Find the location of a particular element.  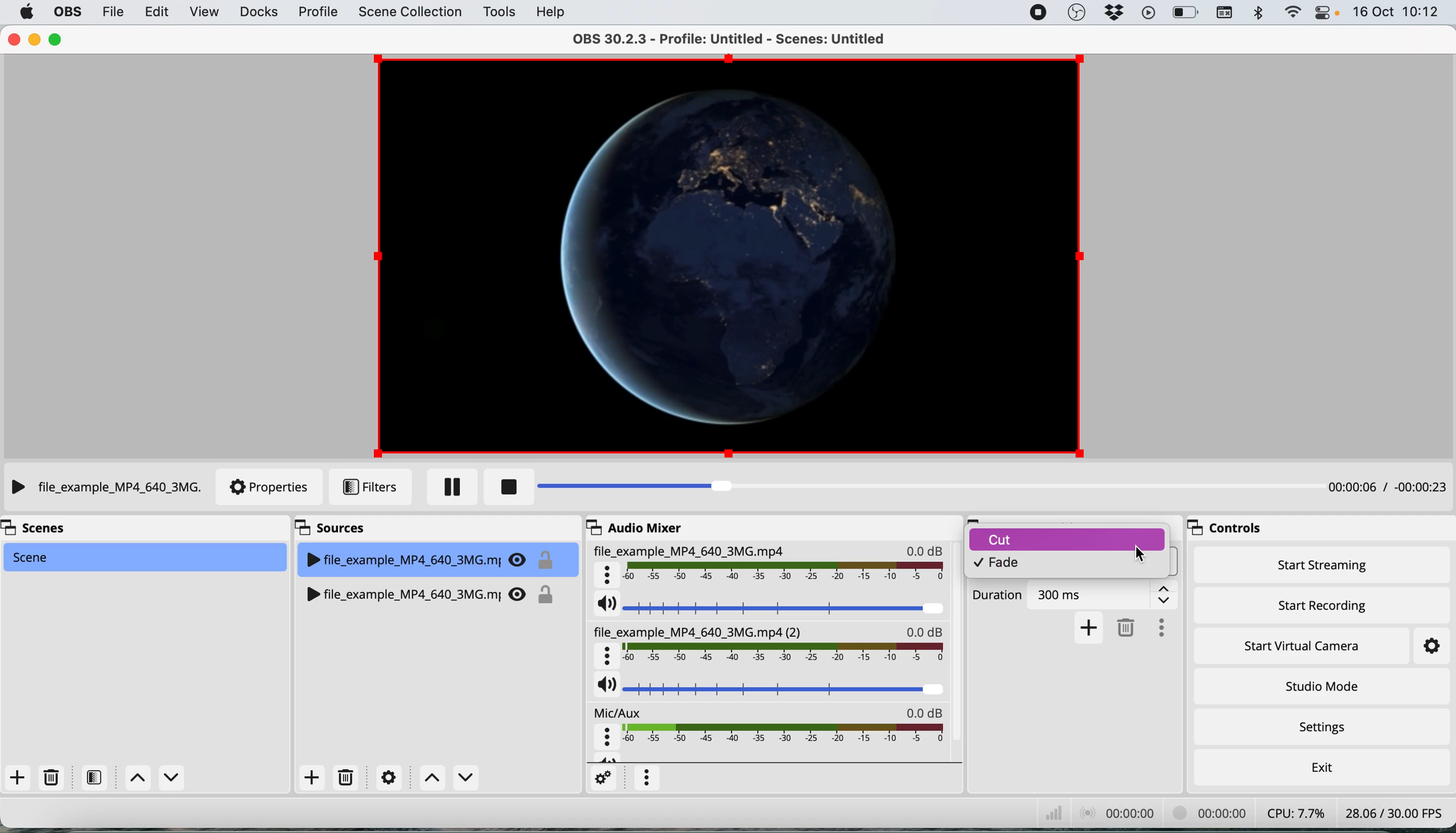

File_example_MP4_640_3MG. is located at coordinates (110, 489).